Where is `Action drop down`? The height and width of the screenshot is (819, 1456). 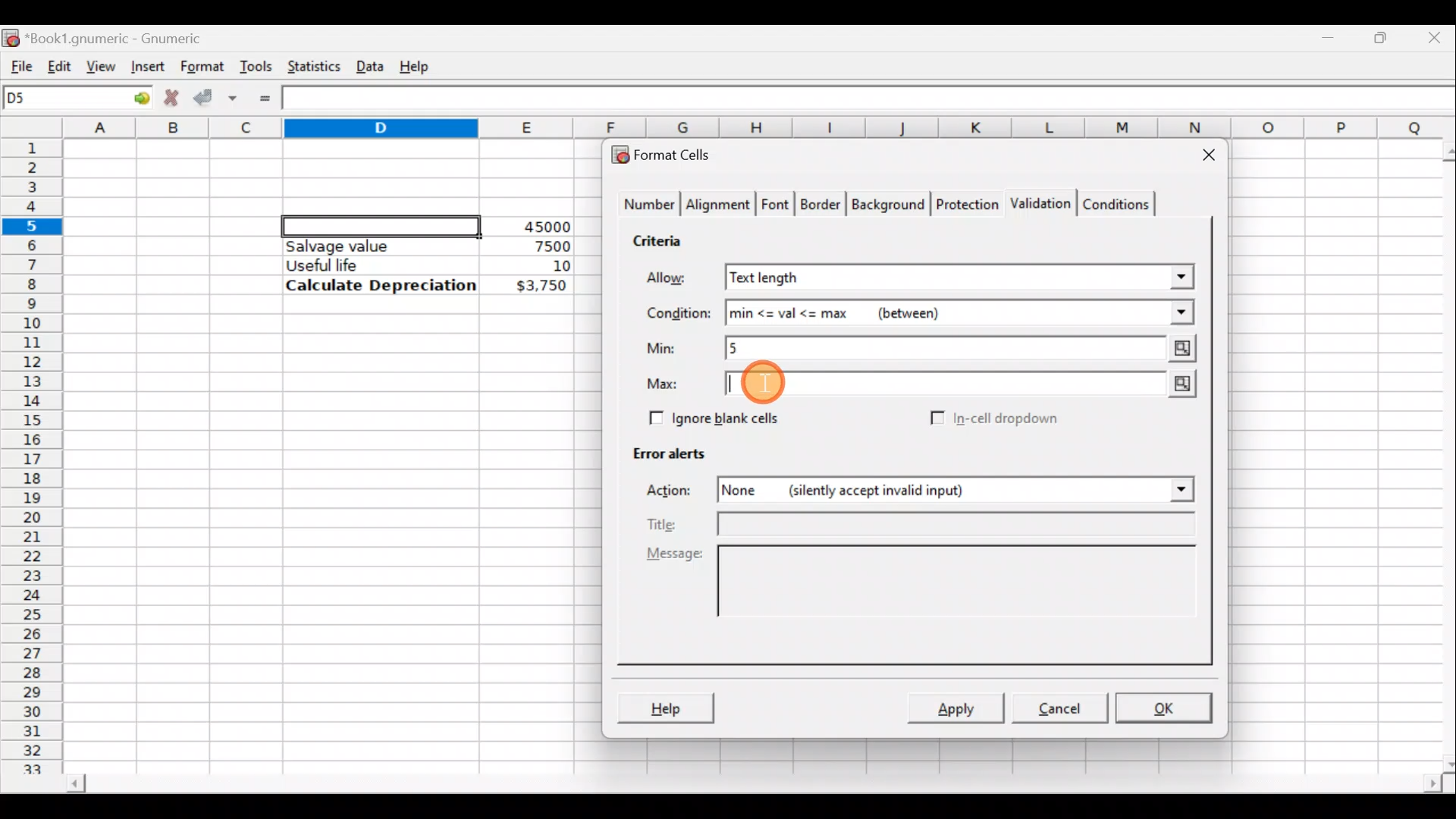
Action drop down is located at coordinates (1169, 490).